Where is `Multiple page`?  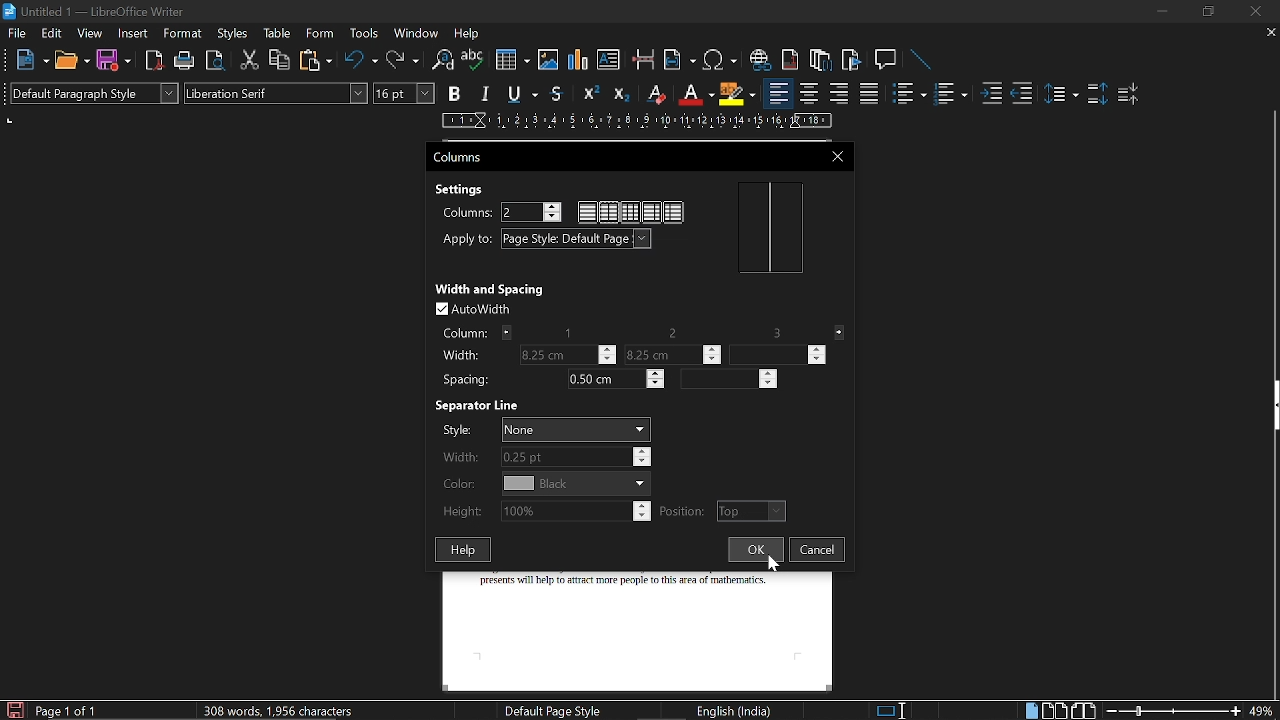
Multiple page is located at coordinates (1054, 711).